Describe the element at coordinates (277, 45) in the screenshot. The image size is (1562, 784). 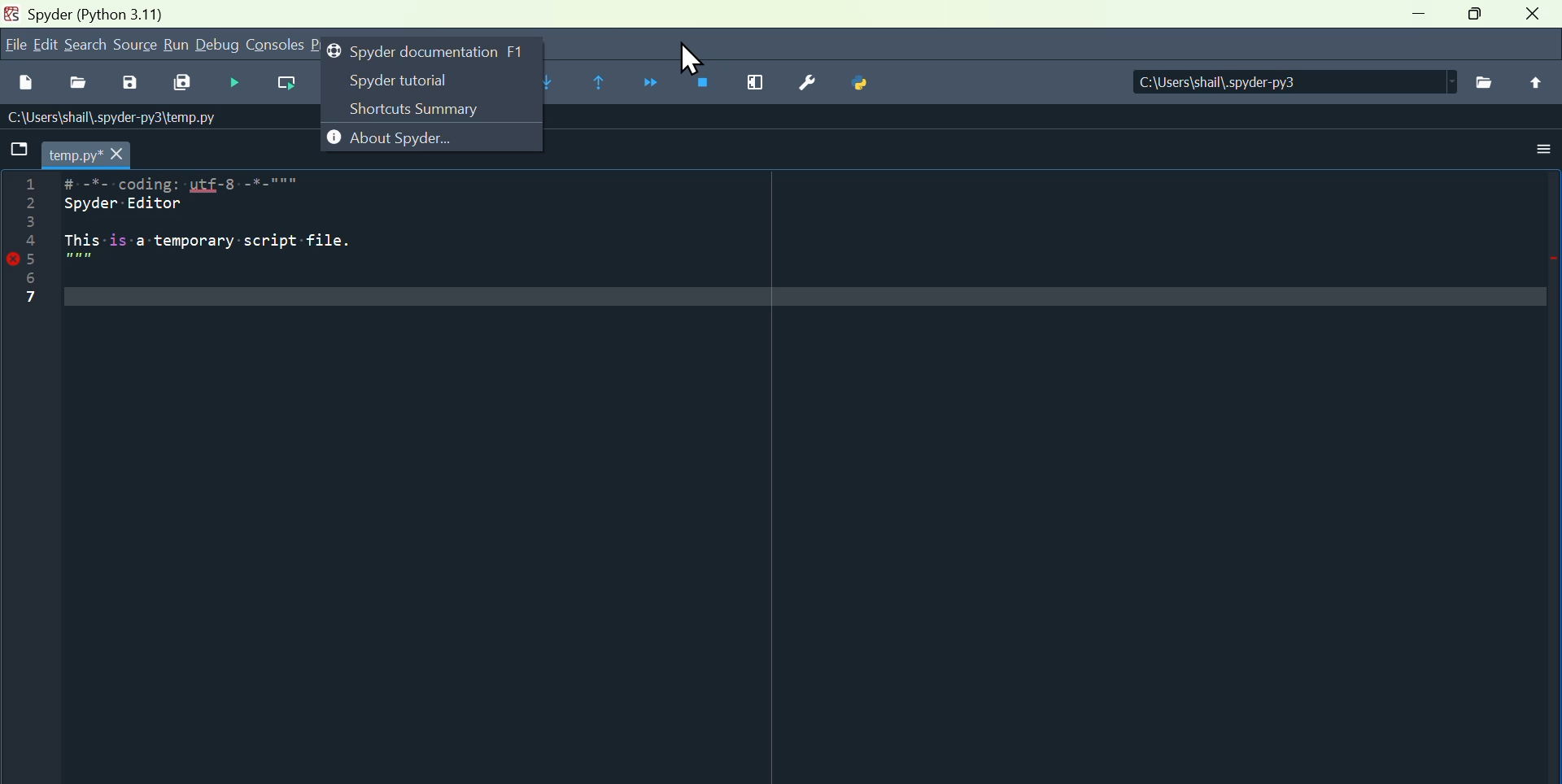
I see `Consoles` at that location.